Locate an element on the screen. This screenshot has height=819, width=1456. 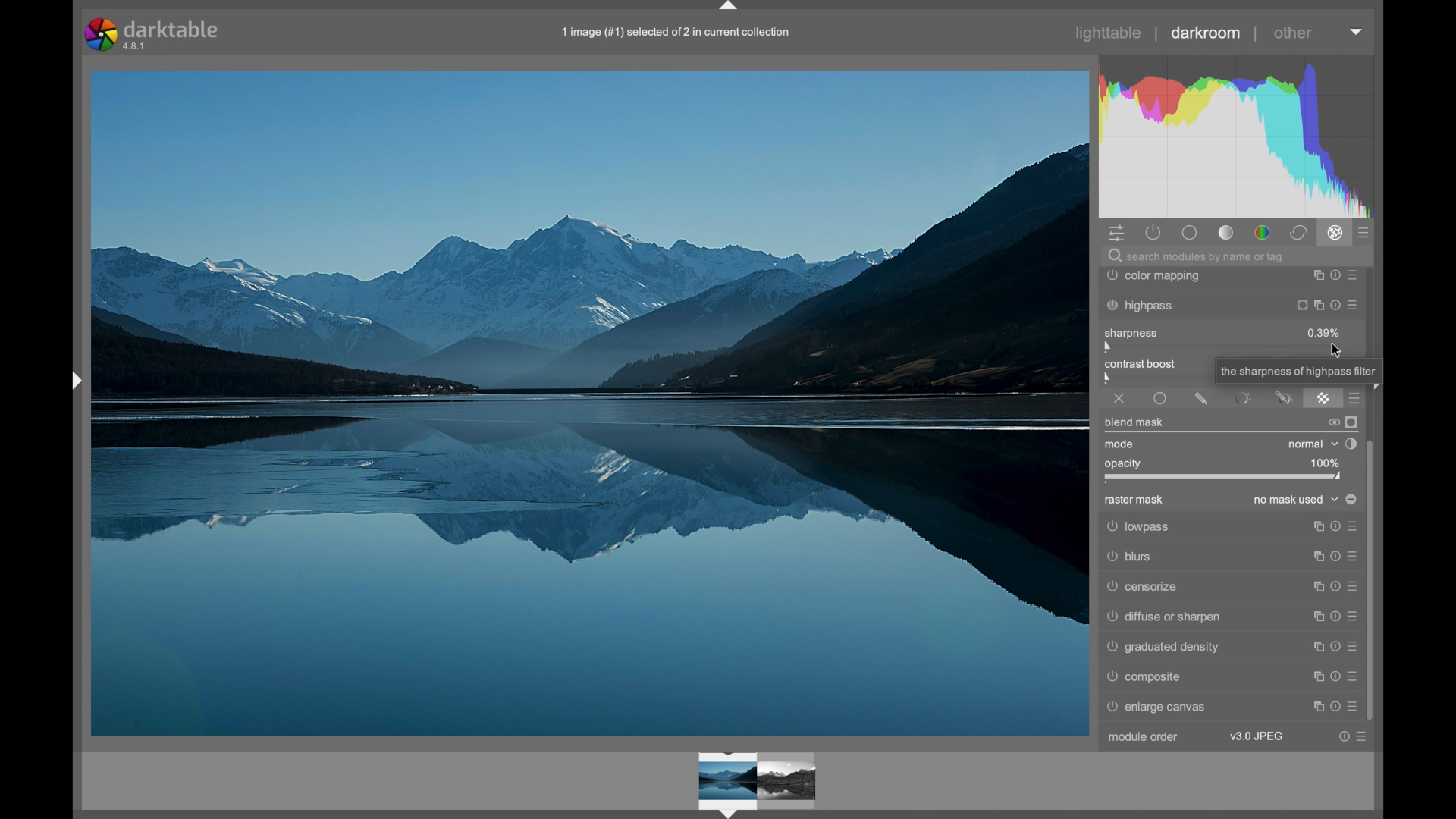
enlarge canvas is located at coordinates (1159, 708).